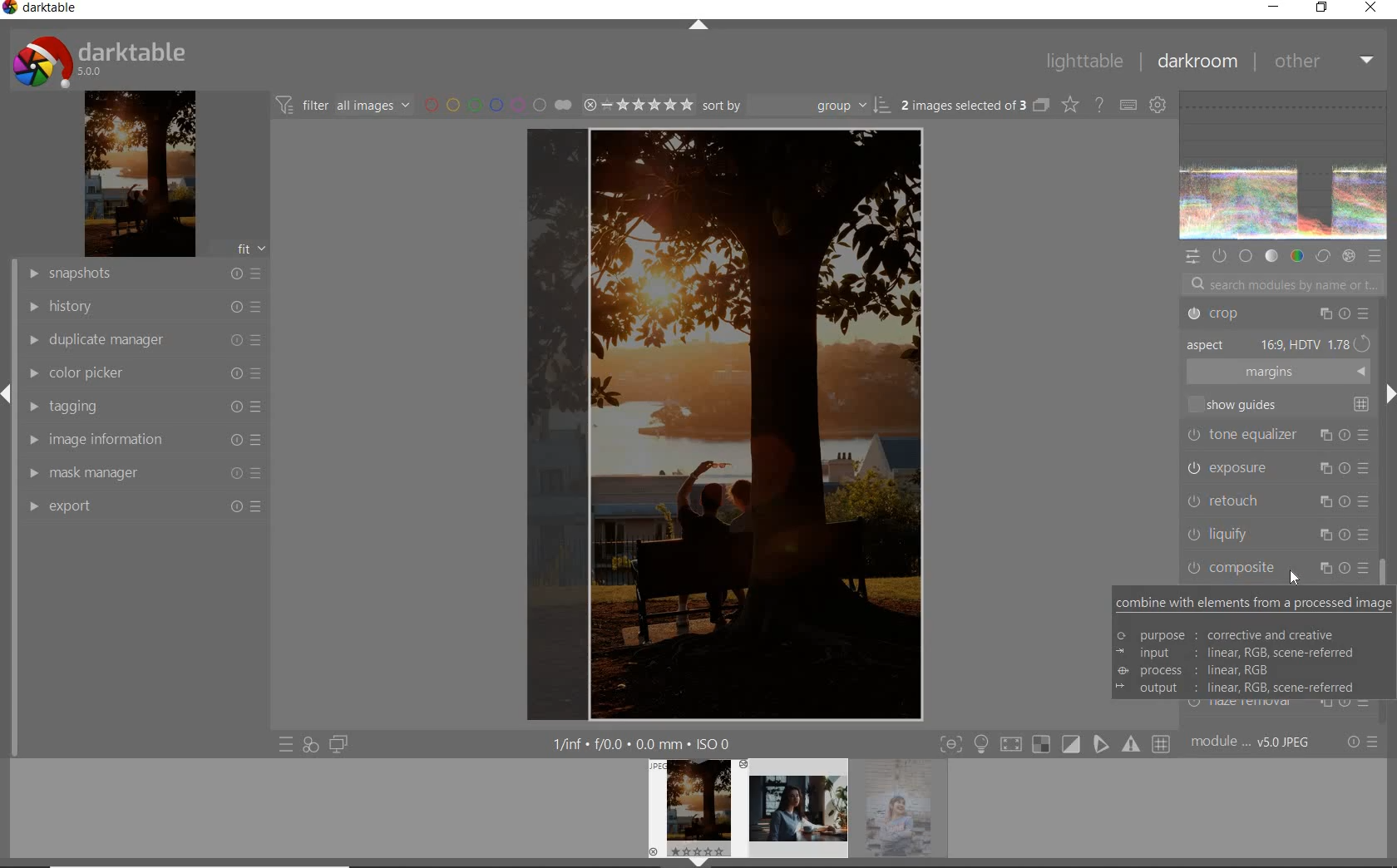 The image size is (1397, 868). I want to click on system logo & name, so click(103, 62).